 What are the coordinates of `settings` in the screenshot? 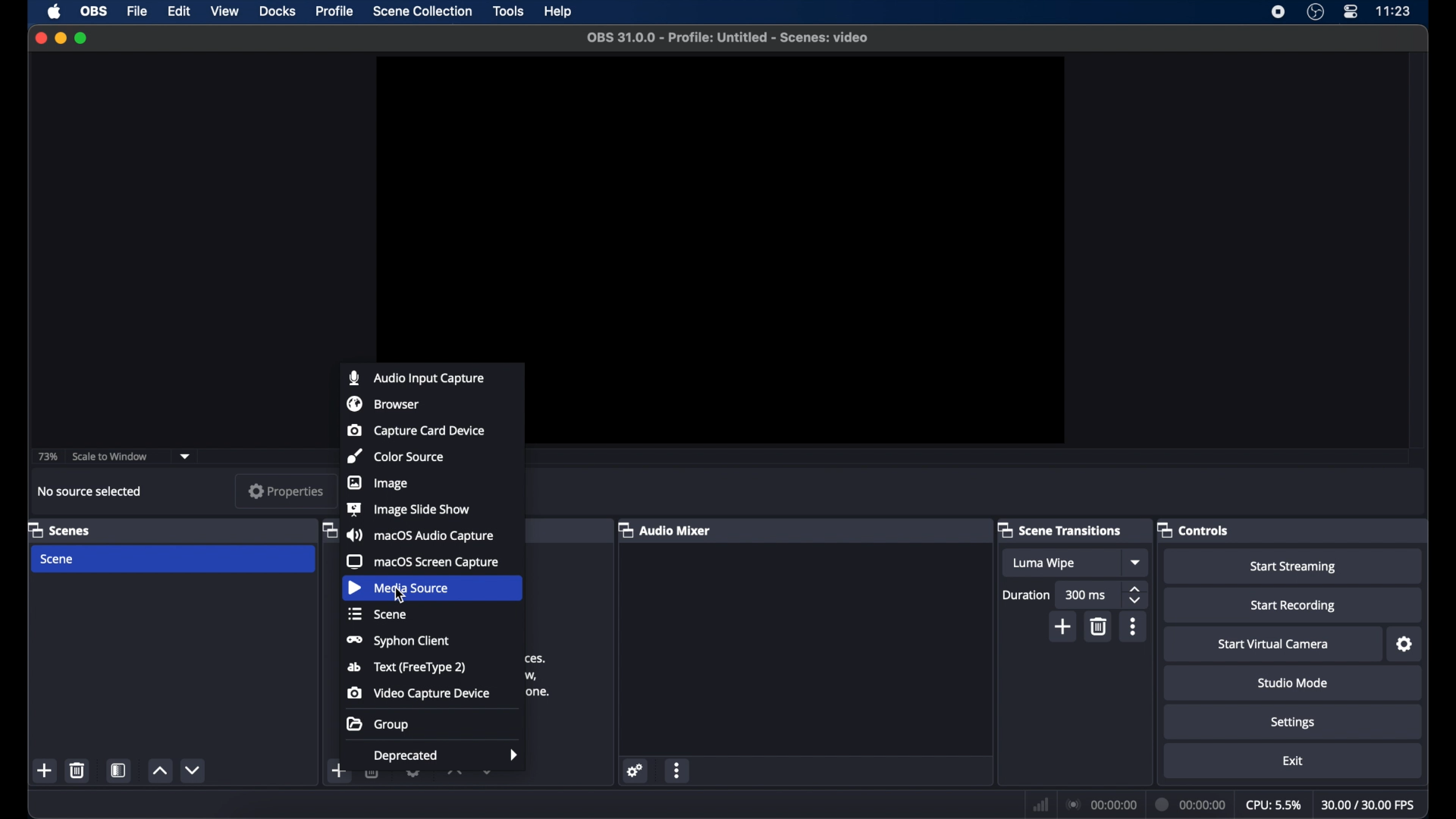 It's located at (413, 774).